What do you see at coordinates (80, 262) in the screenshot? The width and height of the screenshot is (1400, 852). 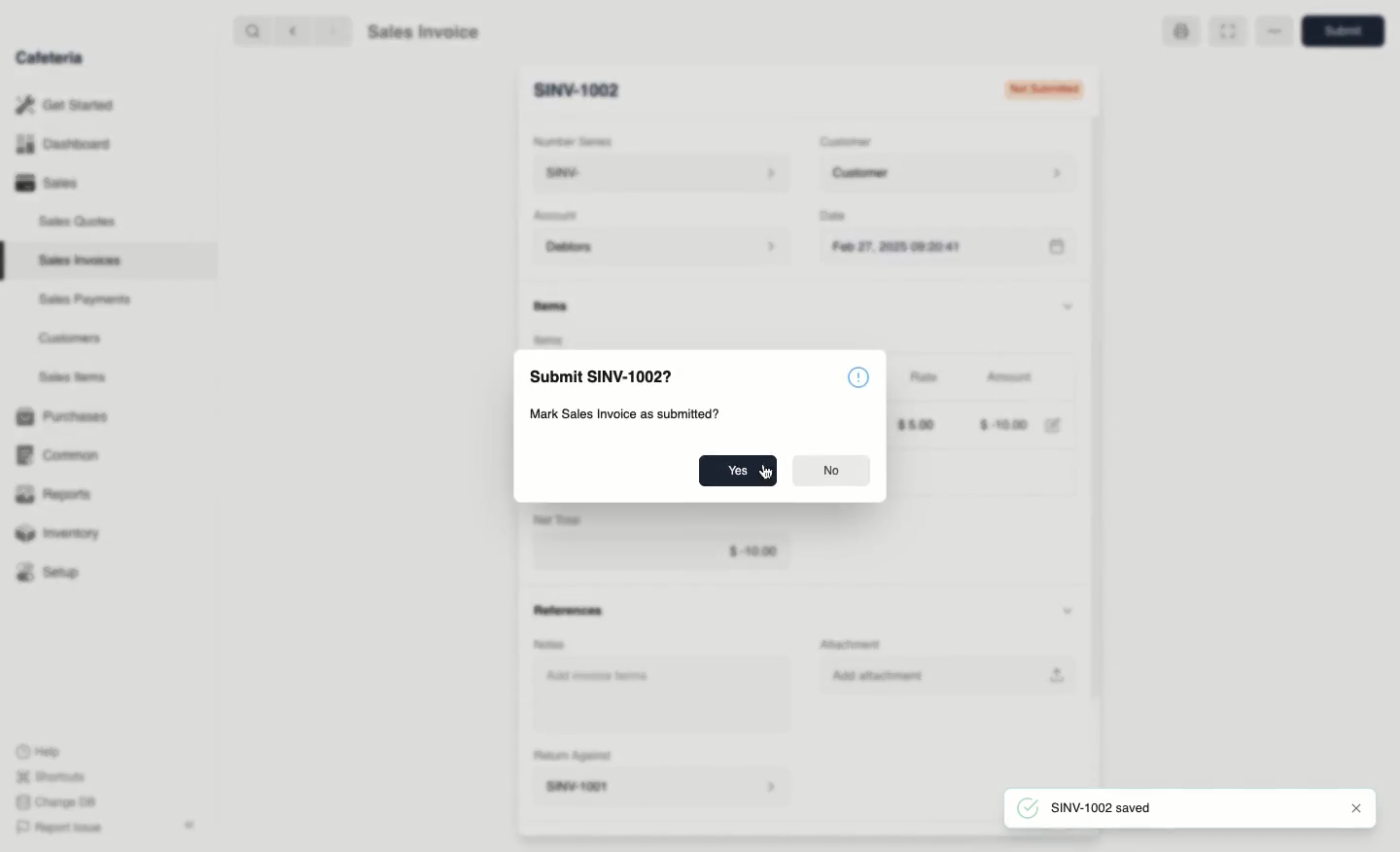 I see `Sales Invoices` at bounding box center [80, 262].